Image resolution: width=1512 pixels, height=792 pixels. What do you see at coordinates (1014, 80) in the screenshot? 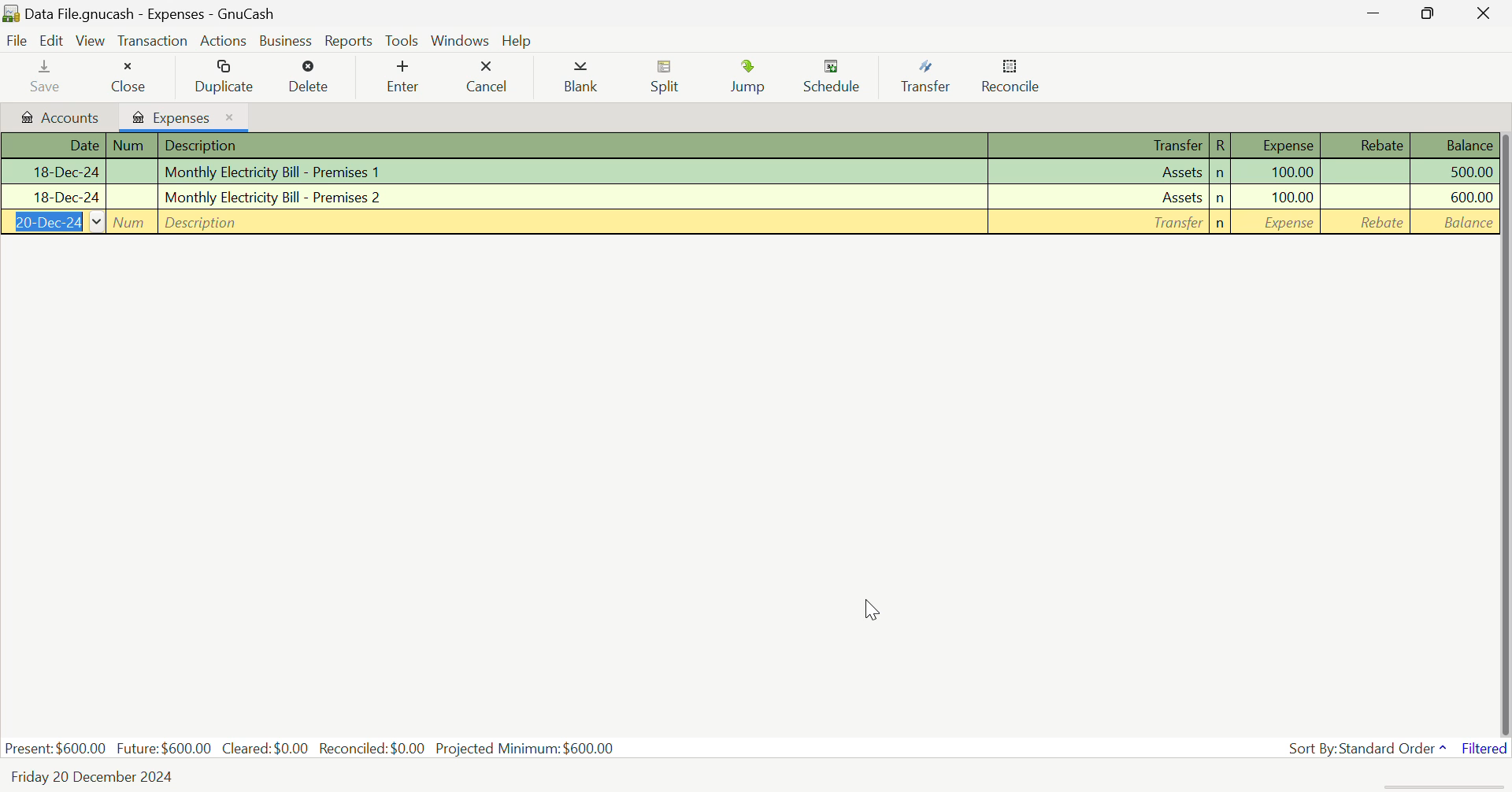
I see `Reconcile` at bounding box center [1014, 80].